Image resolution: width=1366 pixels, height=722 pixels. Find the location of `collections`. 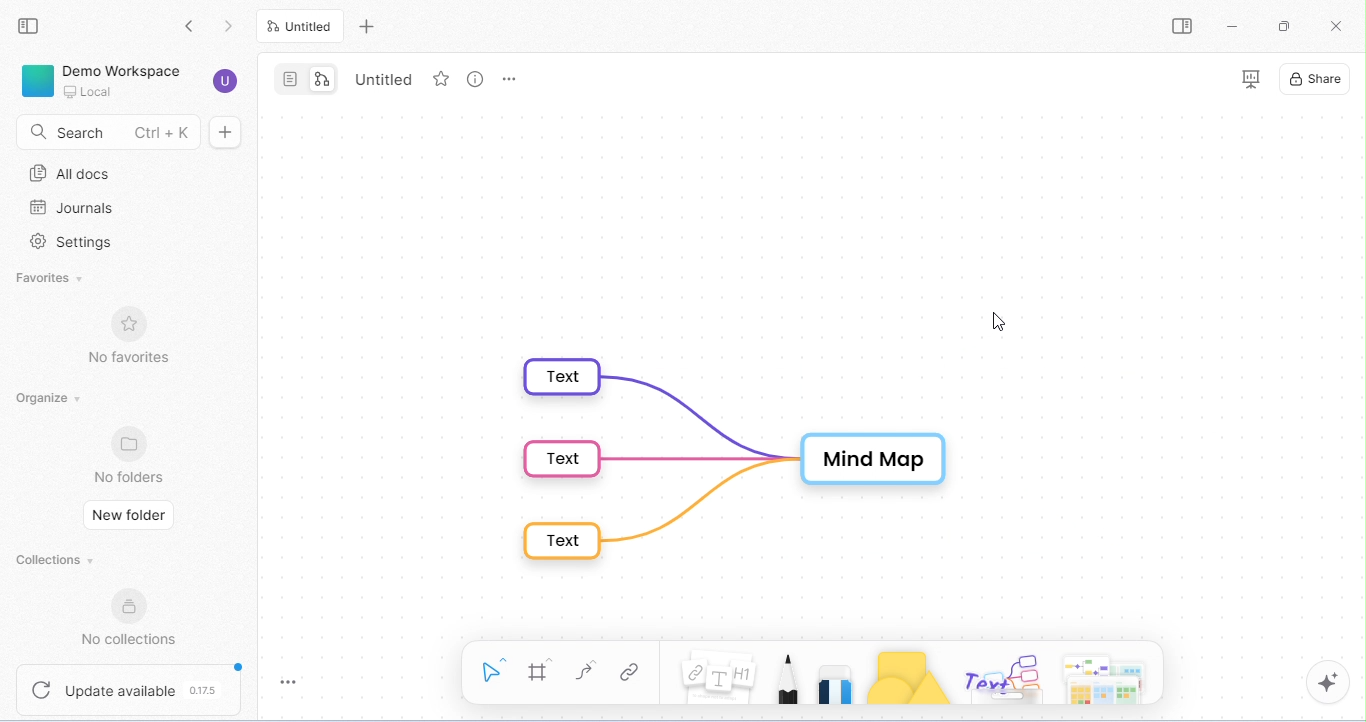

collections is located at coordinates (56, 559).